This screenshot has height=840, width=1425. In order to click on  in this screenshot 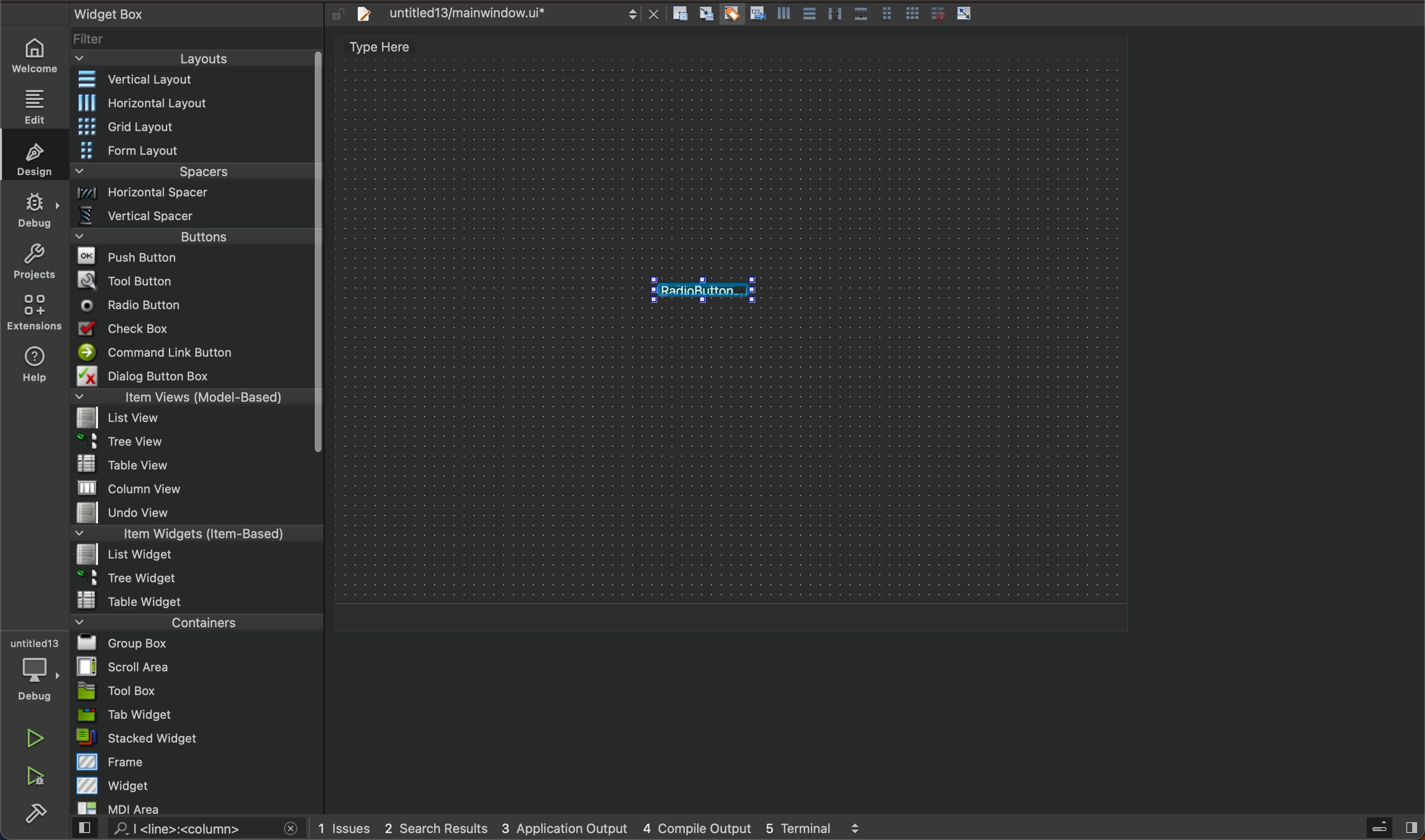, I will do `click(194, 128)`.